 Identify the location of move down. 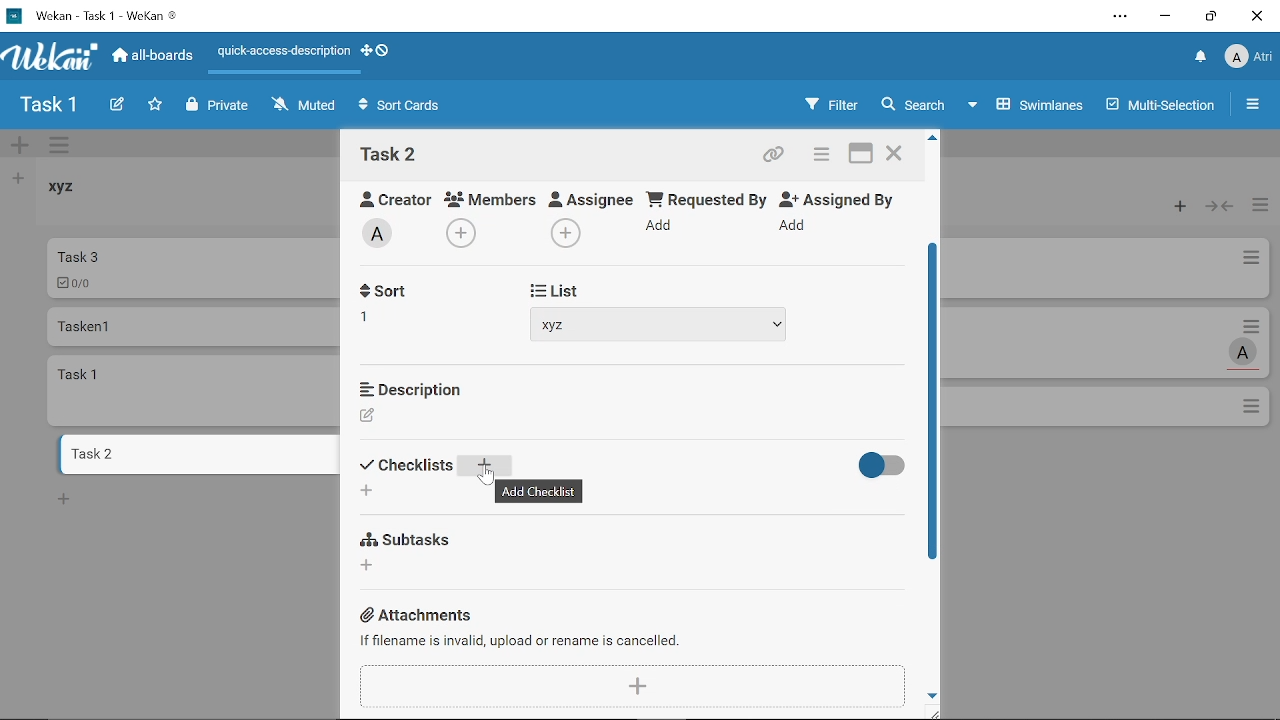
(933, 695).